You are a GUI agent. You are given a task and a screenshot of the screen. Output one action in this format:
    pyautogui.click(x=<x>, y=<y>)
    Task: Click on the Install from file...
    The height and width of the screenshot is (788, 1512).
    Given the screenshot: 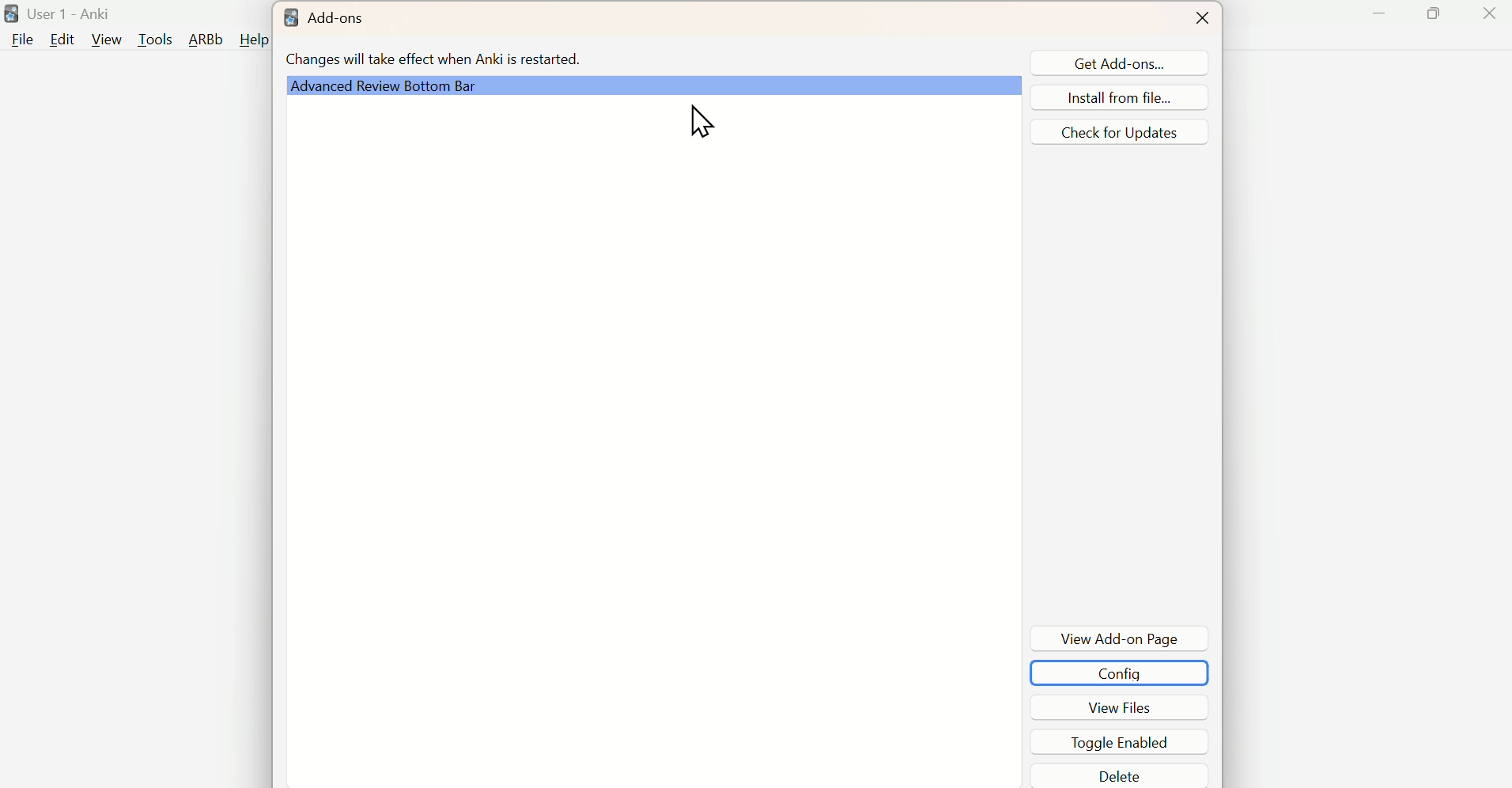 What is the action you would take?
    pyautogui.click(x=1115, y=97)
    